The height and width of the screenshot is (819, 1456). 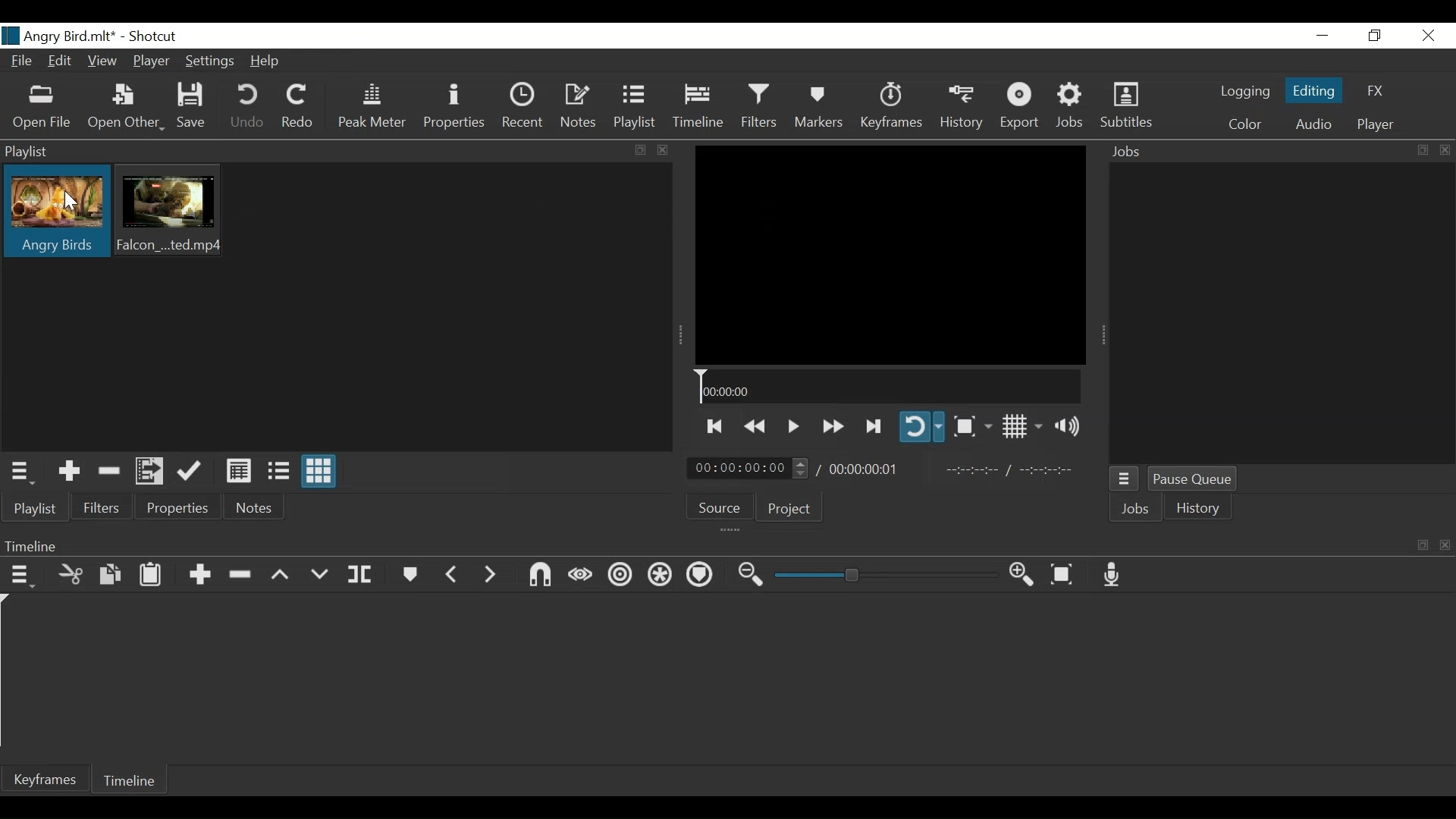 What do you see at coordinates (964, 108) in the screenshot?
I see `History` at bounding box center [964, 108].